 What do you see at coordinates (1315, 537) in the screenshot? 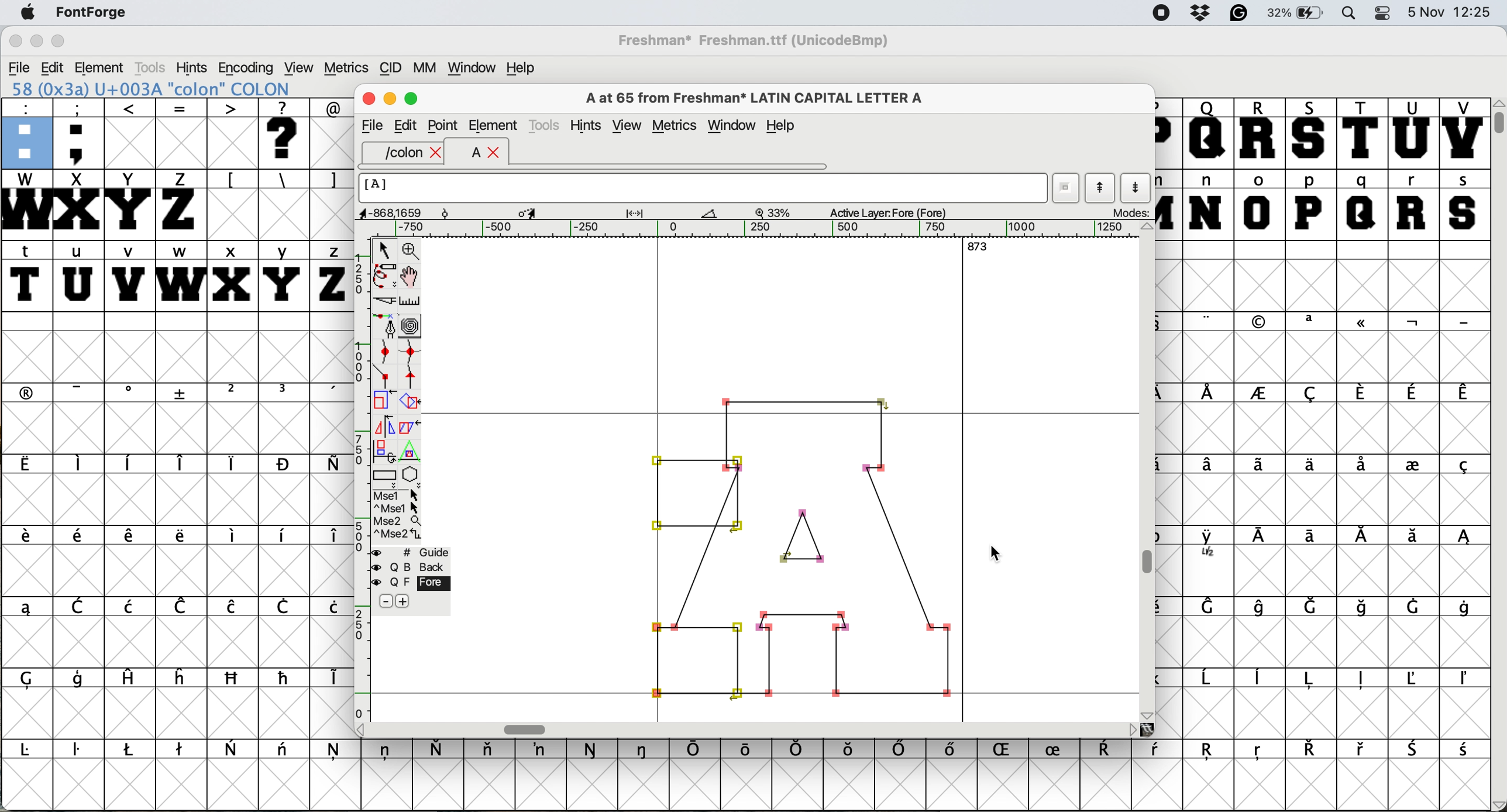
I see `symbol` at bounding box center [1315, 537].